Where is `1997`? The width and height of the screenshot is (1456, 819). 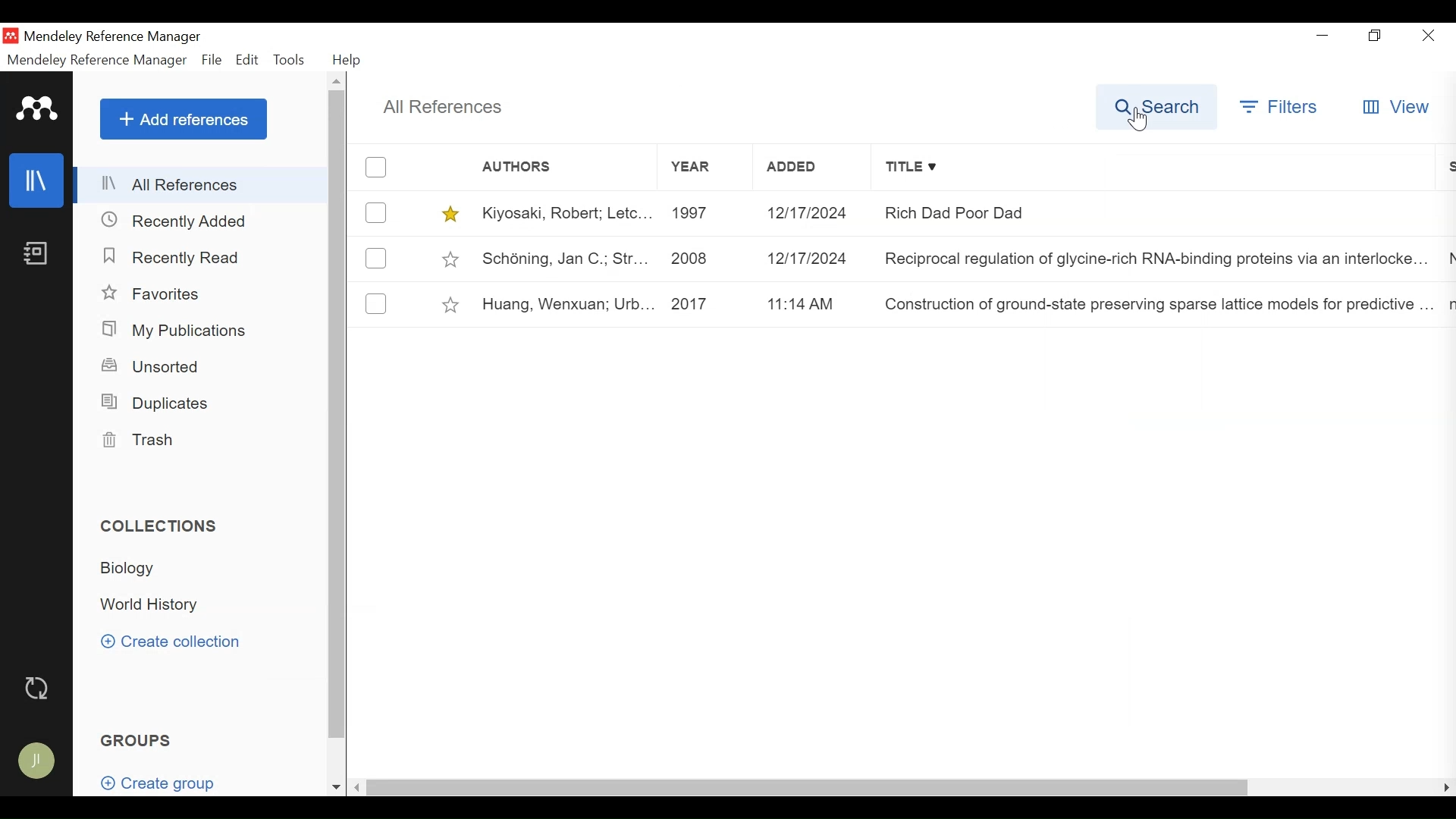
1997 is located at coordinates (701, 213).